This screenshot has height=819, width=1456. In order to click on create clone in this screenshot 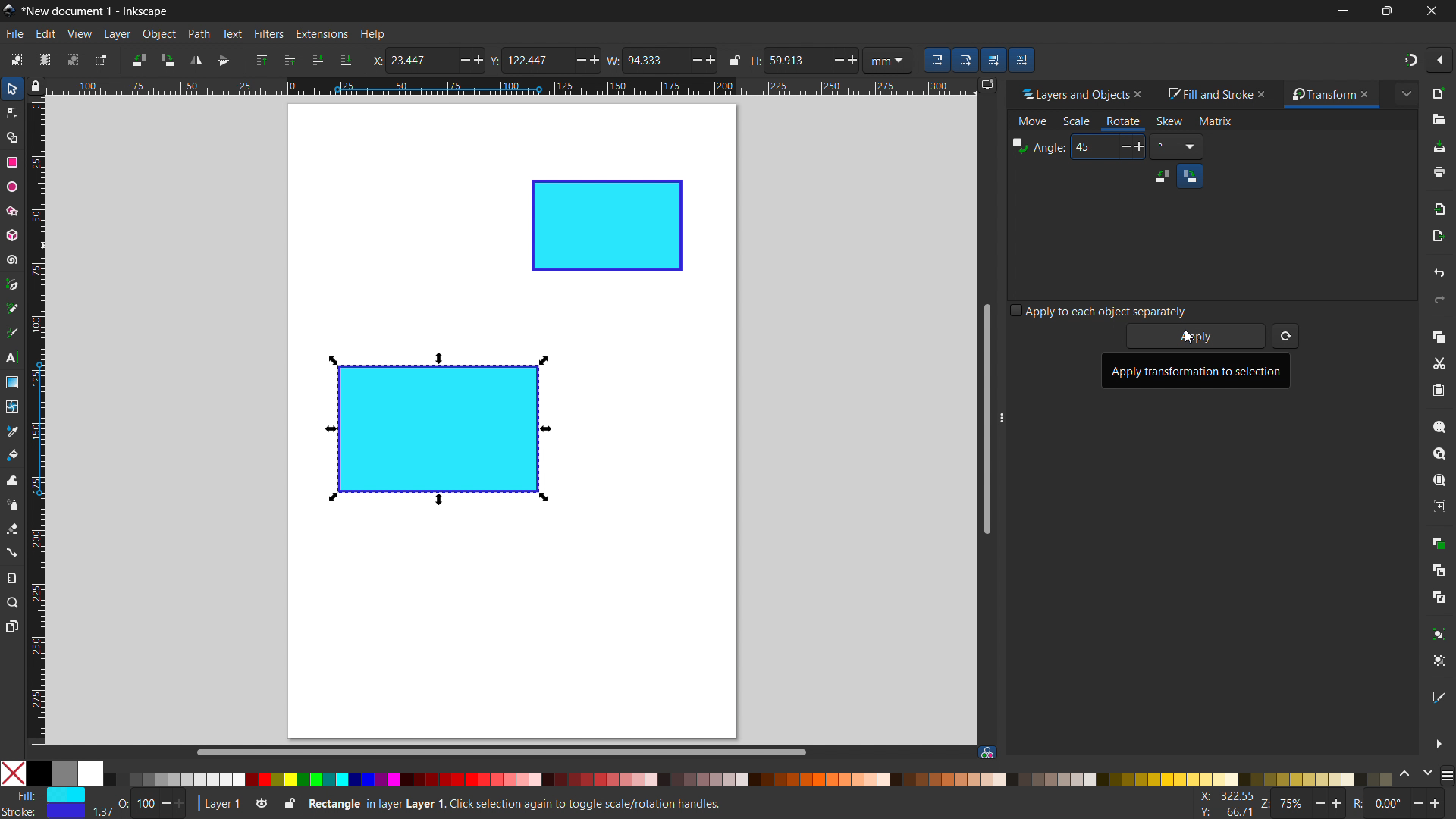, I will do `click(1438, 569)`.